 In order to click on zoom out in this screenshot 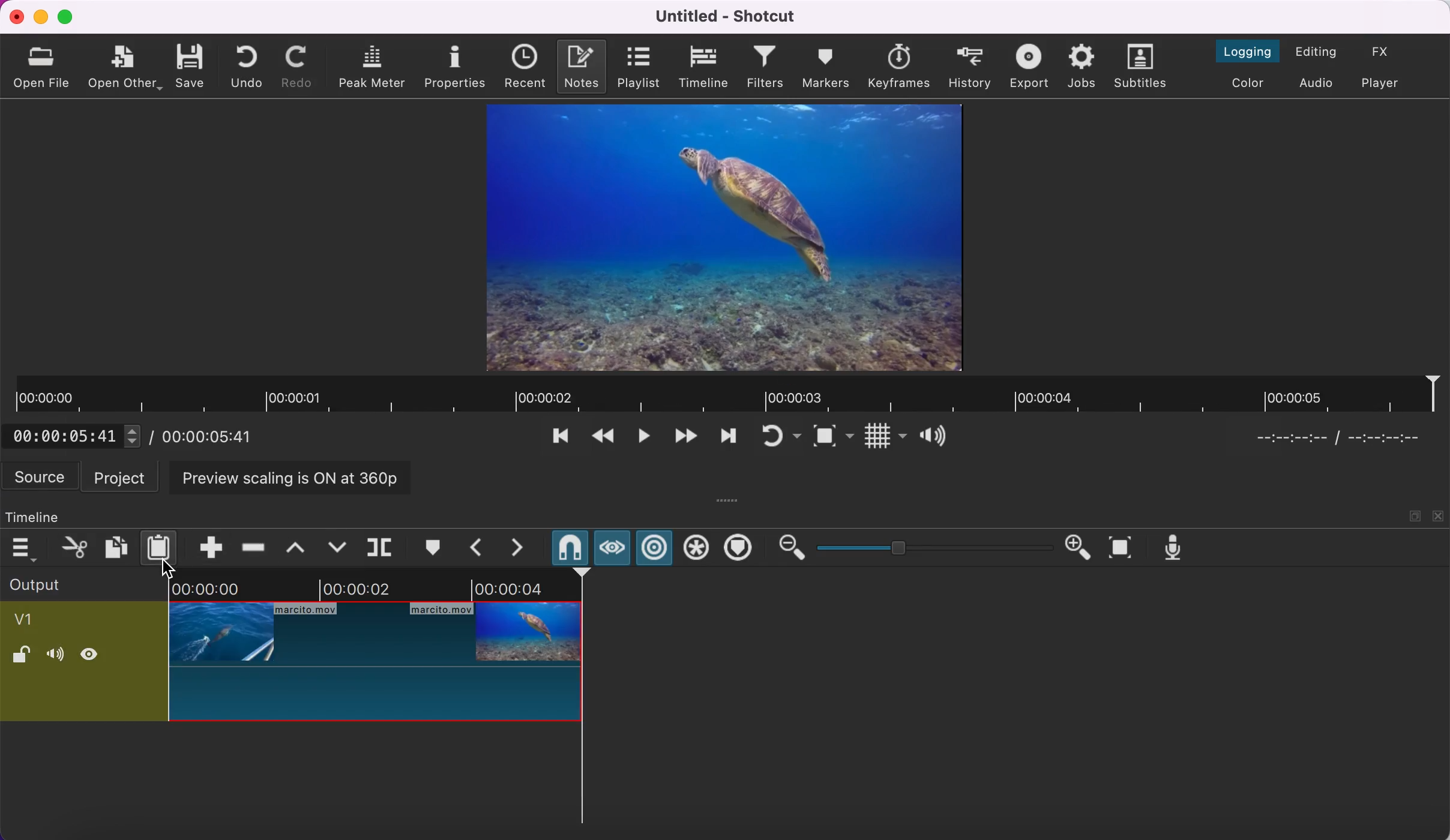, I will do `click(790, 548)`.